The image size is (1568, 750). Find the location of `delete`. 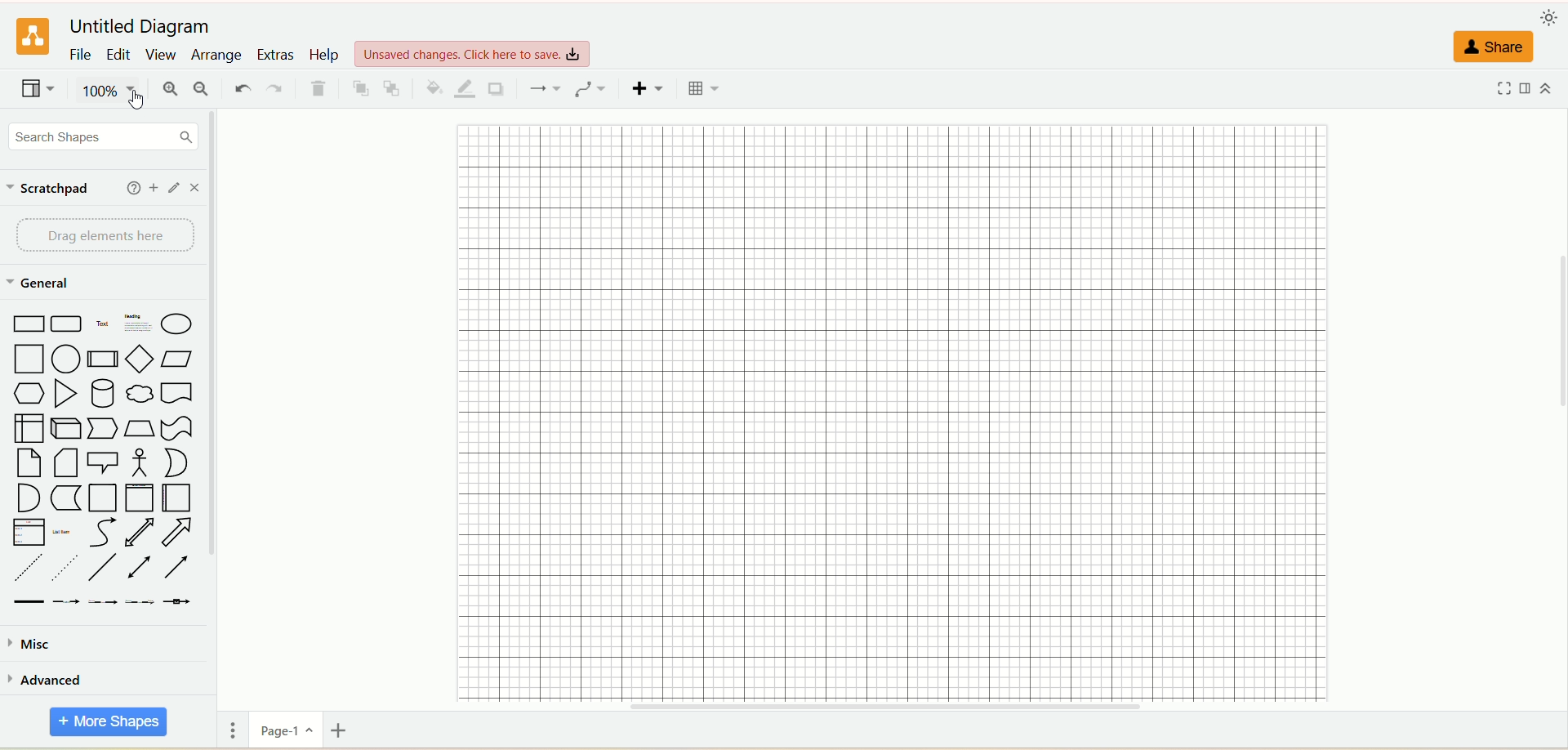

delete is located at coordinates (319, 90).